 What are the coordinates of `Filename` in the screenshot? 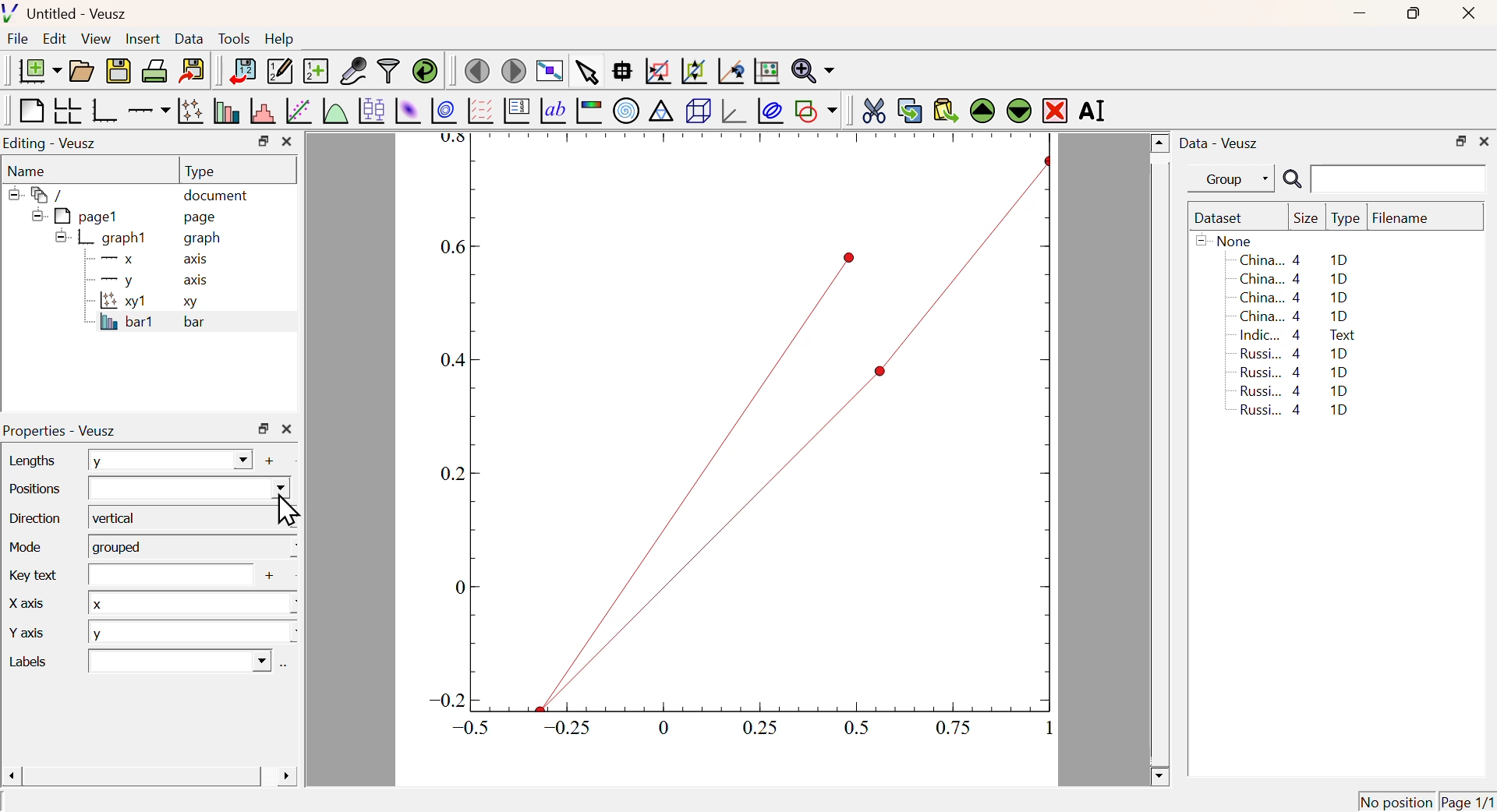 It's located at (1408, 219).